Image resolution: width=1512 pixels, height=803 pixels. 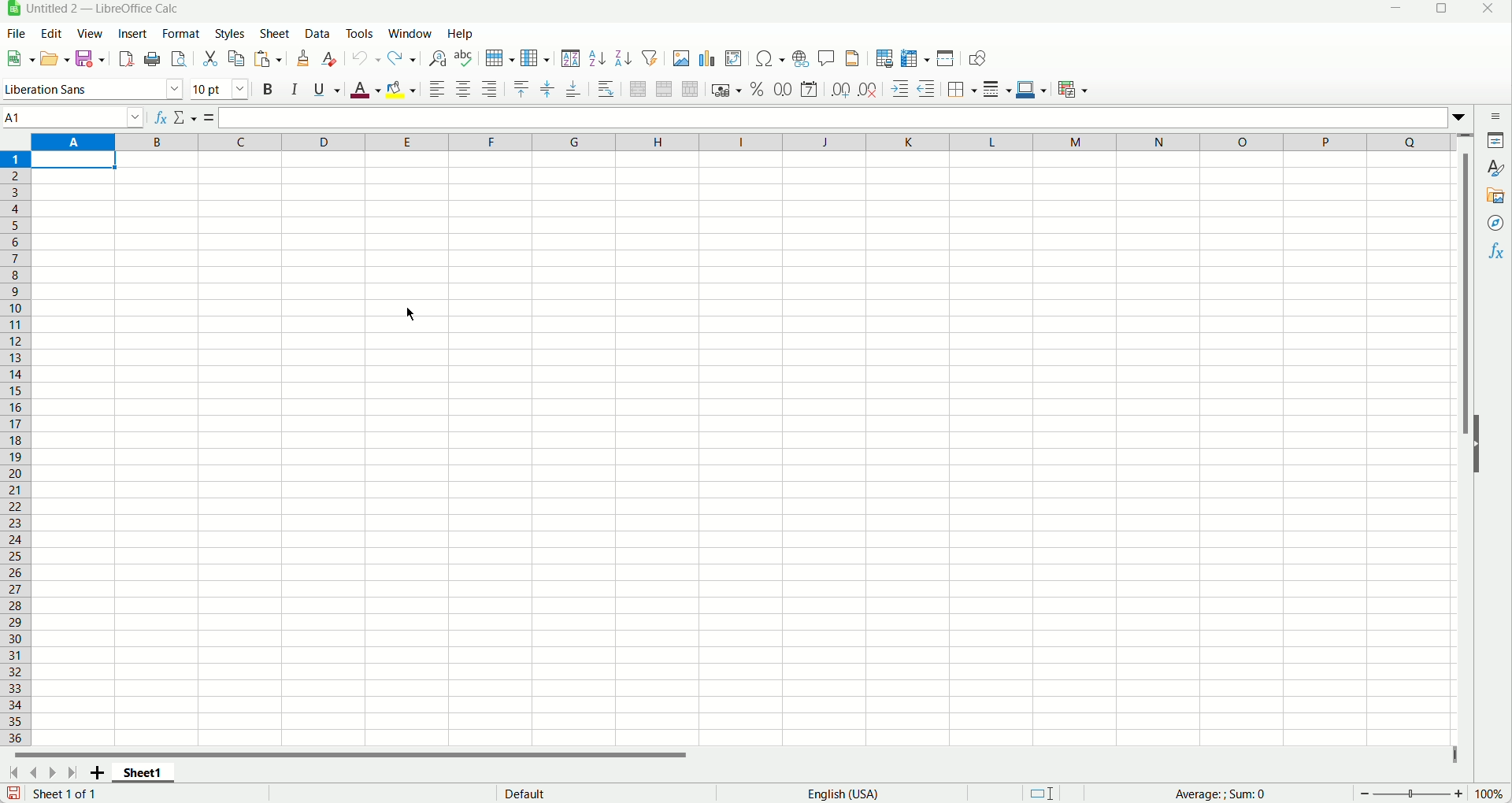 I want to click on New, so click(x=19, y=58).